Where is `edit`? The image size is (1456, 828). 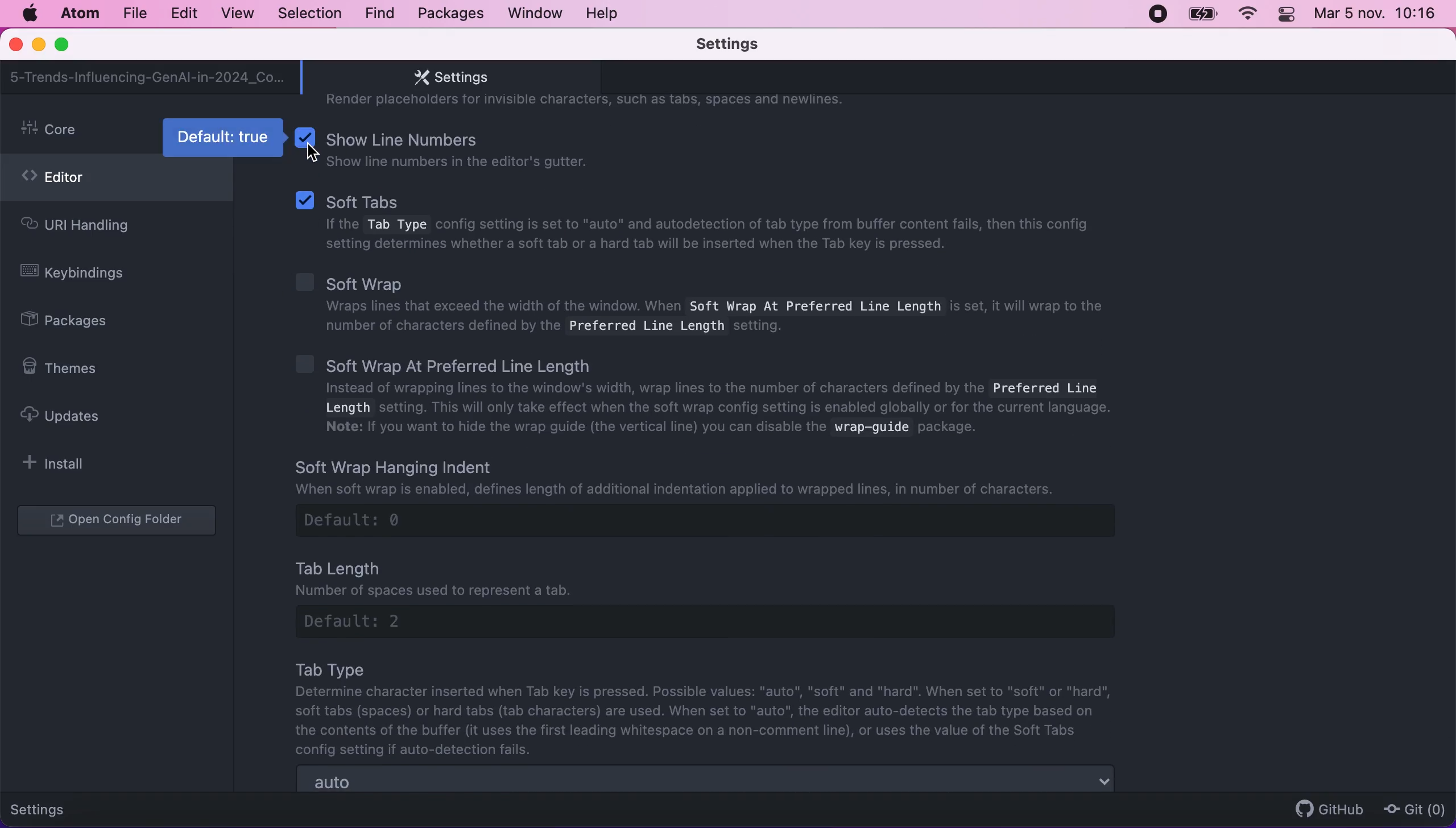
edit is located at coordinates (183, 14).